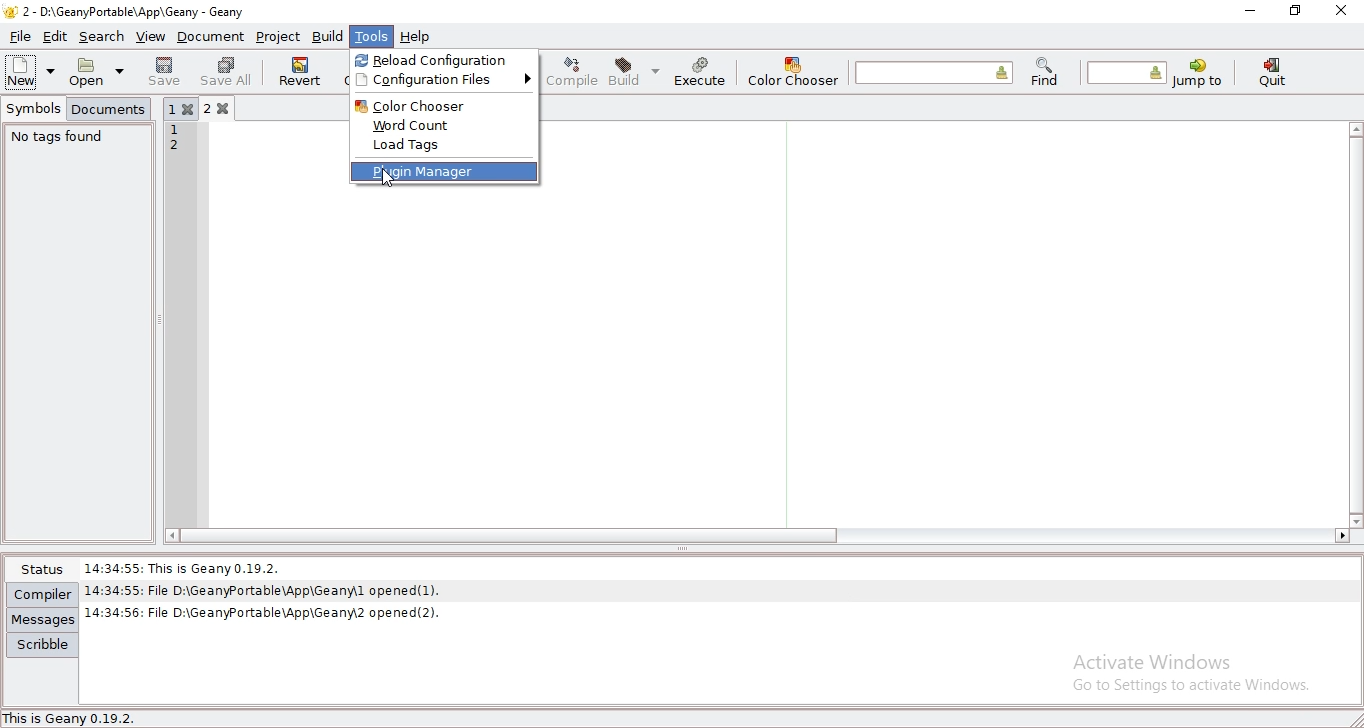 The width and height of the screenshot is (1364, 728). What do you see at coordinates (189, 564) in the screenshot?
I see `14:34:55: This Is Geany 0.19.2.` at bounding box center [189, 564].